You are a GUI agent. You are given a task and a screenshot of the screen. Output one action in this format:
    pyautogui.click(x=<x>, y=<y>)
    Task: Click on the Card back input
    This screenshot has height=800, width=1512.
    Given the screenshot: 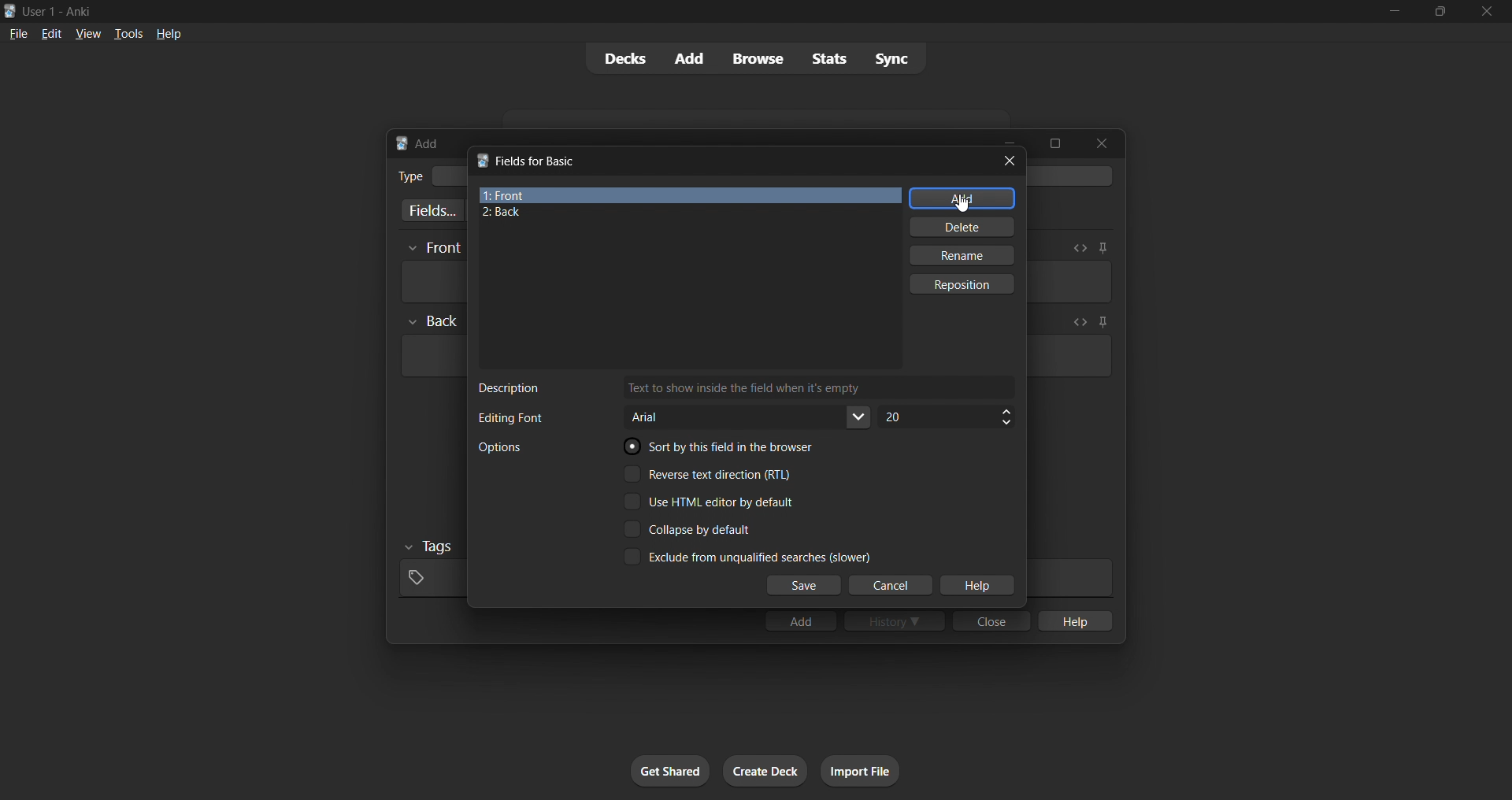 What is the action you would take?
    pyautogui.click(x=1069, y=356)
    